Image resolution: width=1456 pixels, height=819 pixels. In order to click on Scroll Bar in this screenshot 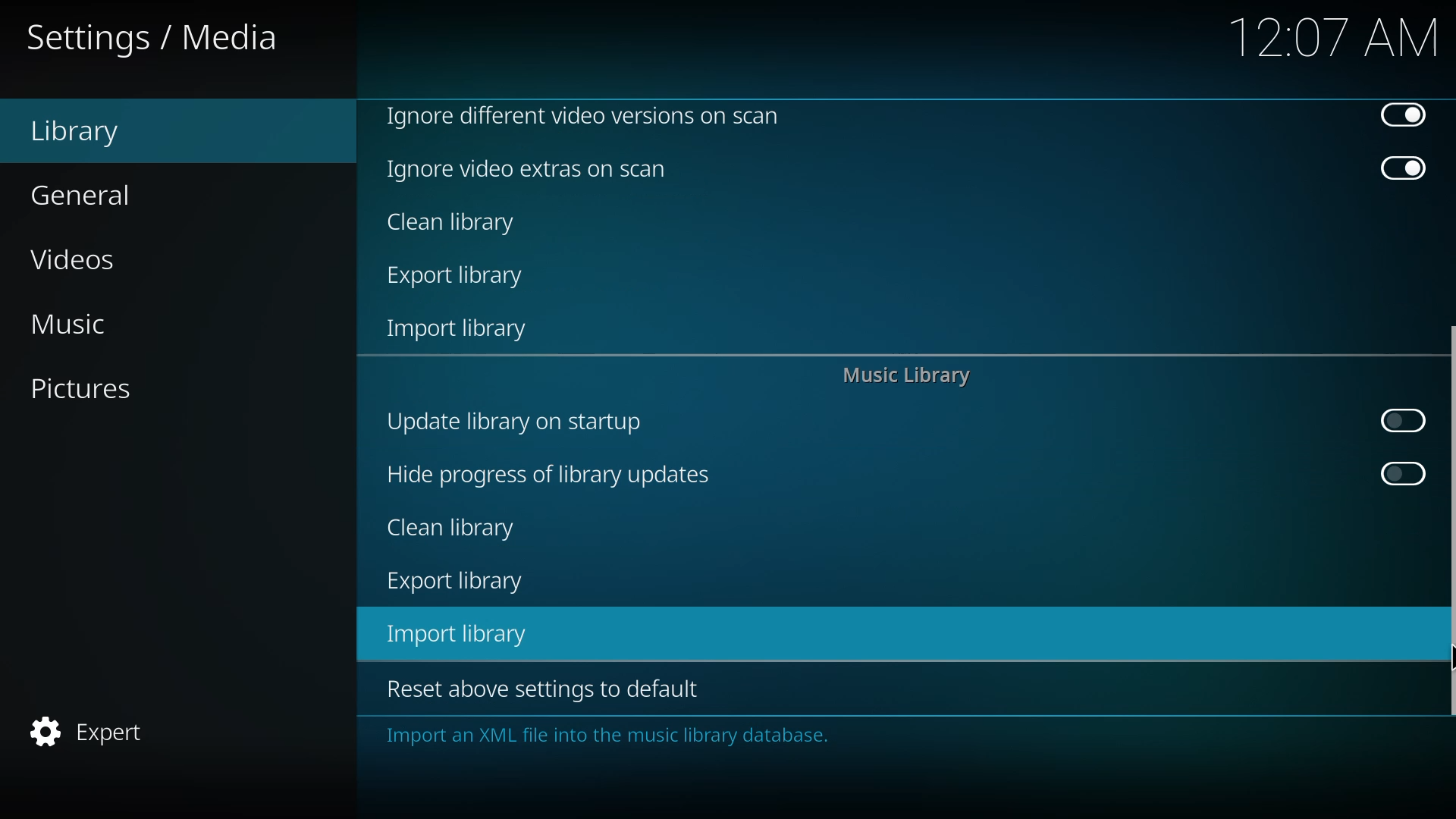, I will do `click(1461, 522)`.